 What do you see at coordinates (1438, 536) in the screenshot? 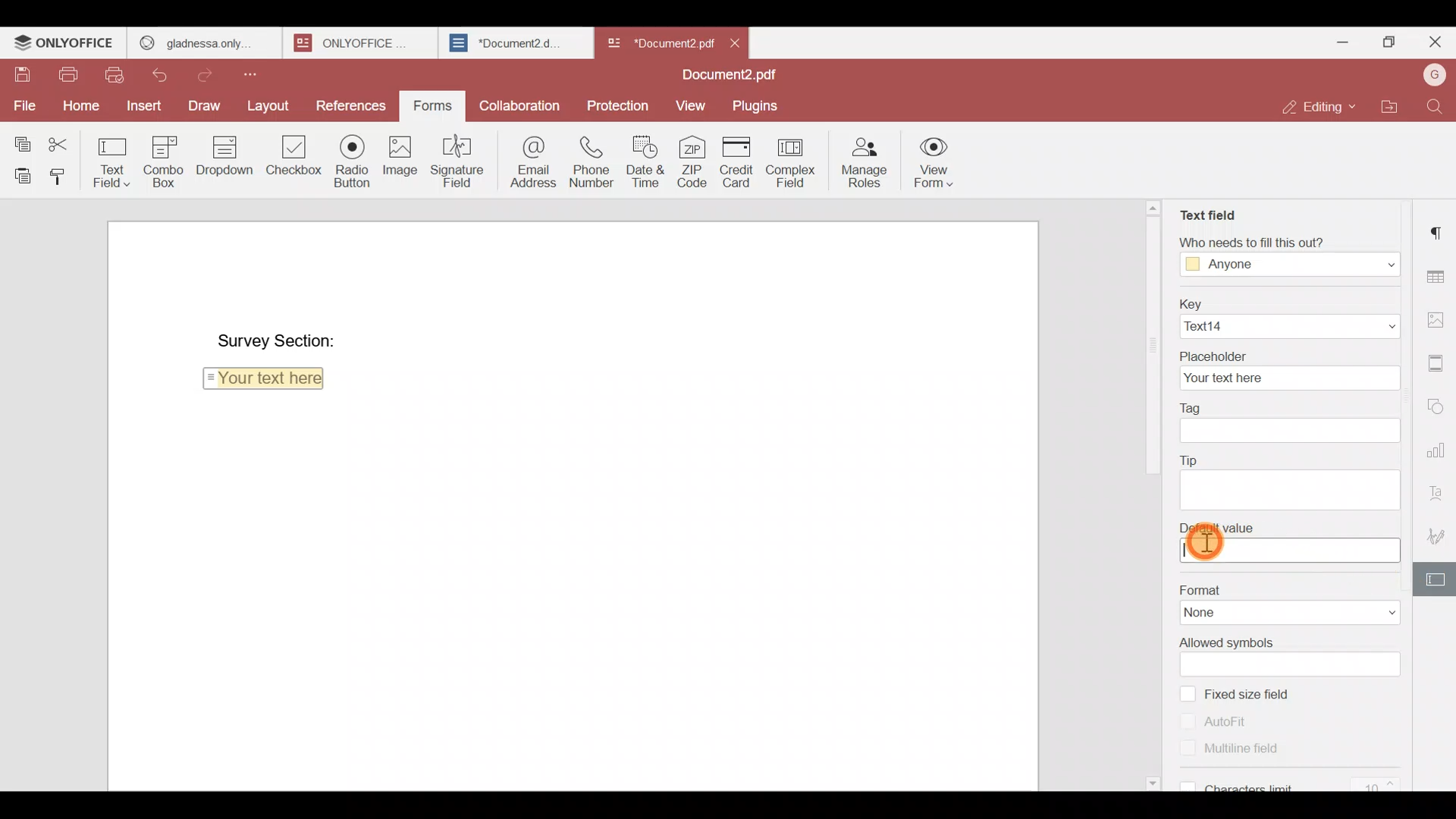
I see `Signature settings` at bounding box center [1438, 536].